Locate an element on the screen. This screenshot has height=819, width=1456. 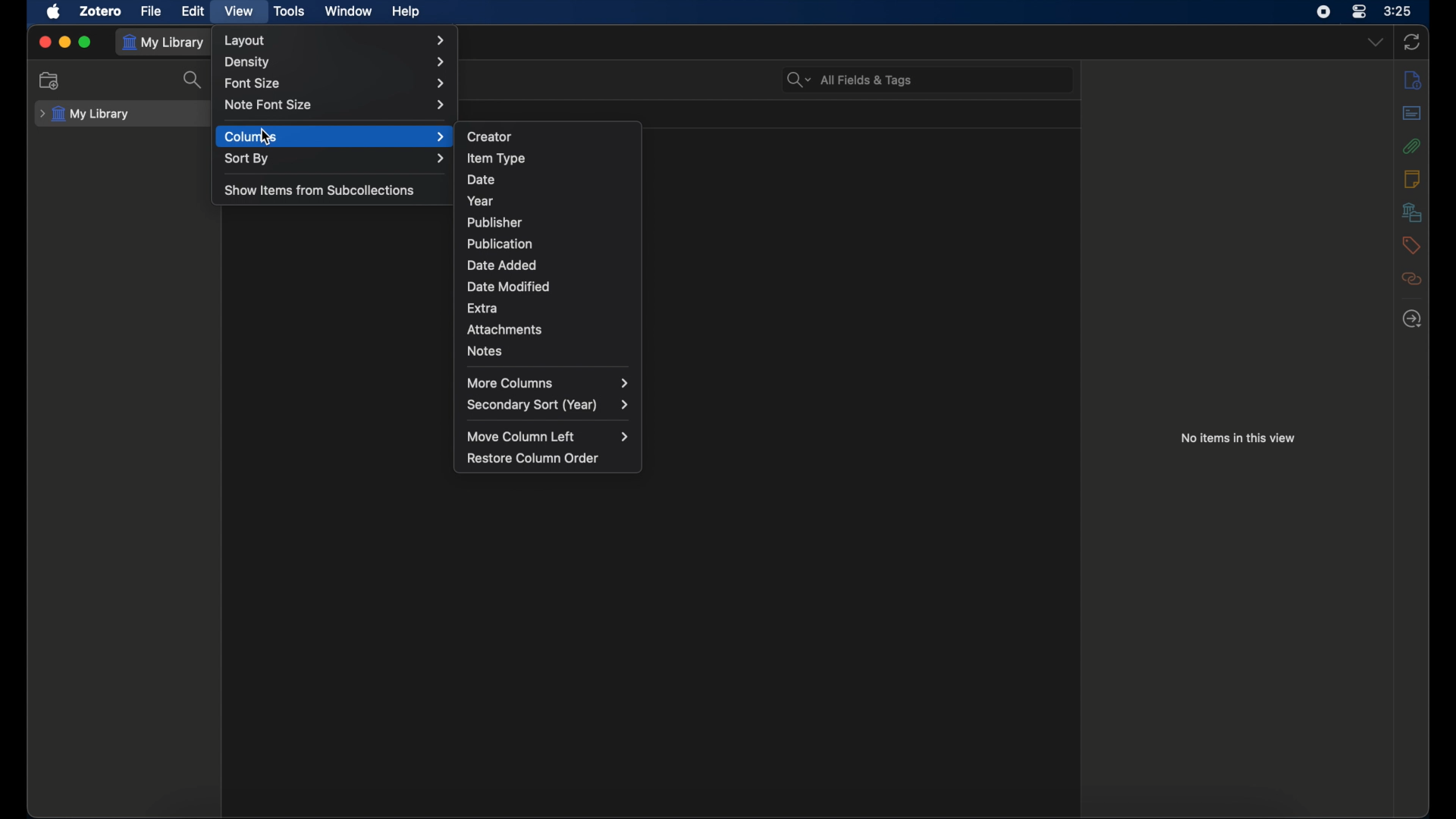
date modified is located at coordinates (511, 287).